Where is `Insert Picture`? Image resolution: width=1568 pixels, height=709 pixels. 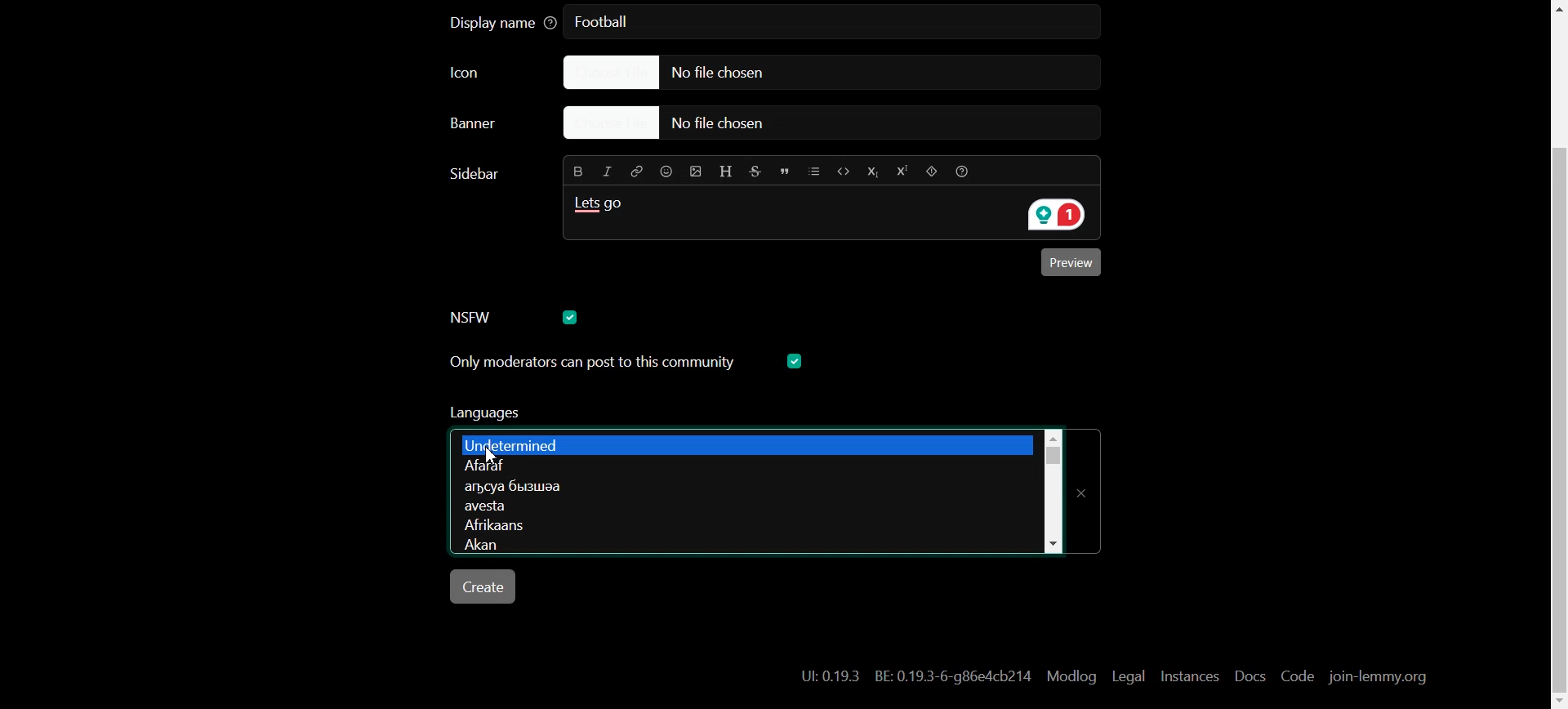 Insert Picture is located at coordinates (693, 170).